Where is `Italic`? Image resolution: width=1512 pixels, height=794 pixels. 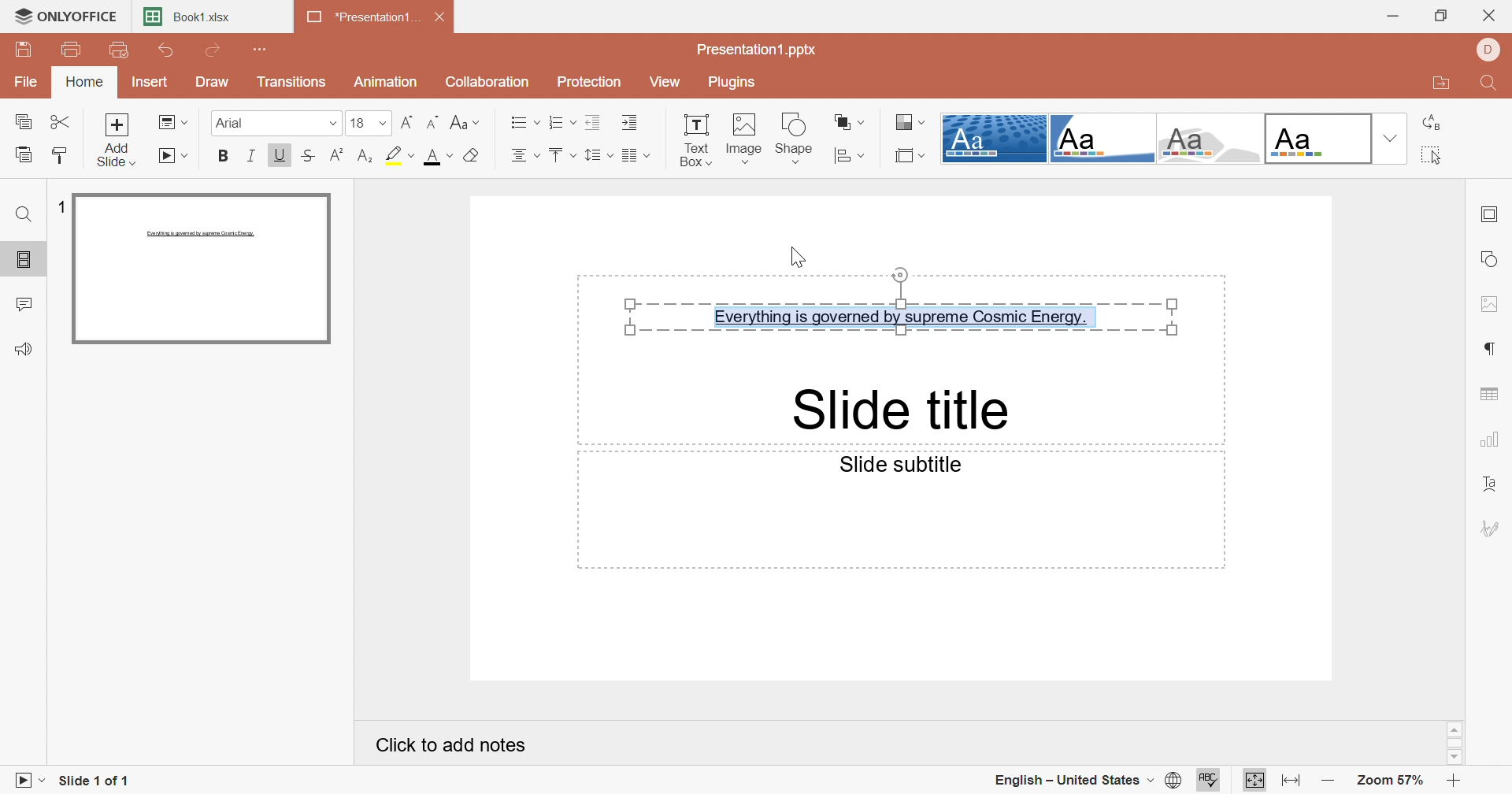 Italic is located at coordinates (250, 154).